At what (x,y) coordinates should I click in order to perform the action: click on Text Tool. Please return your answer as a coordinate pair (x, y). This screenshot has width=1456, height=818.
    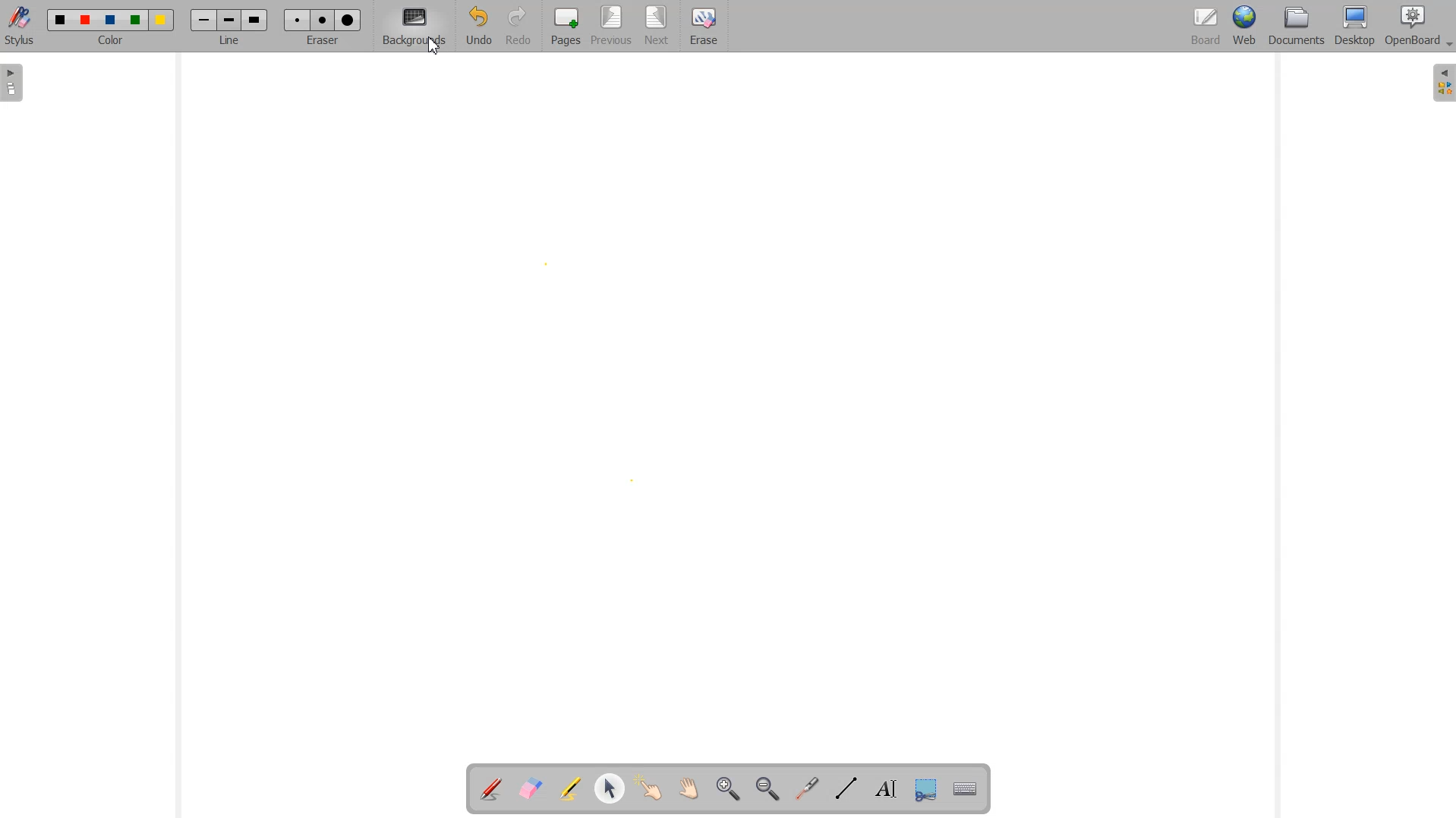
    Looking at the image, I should click on (883, 789).